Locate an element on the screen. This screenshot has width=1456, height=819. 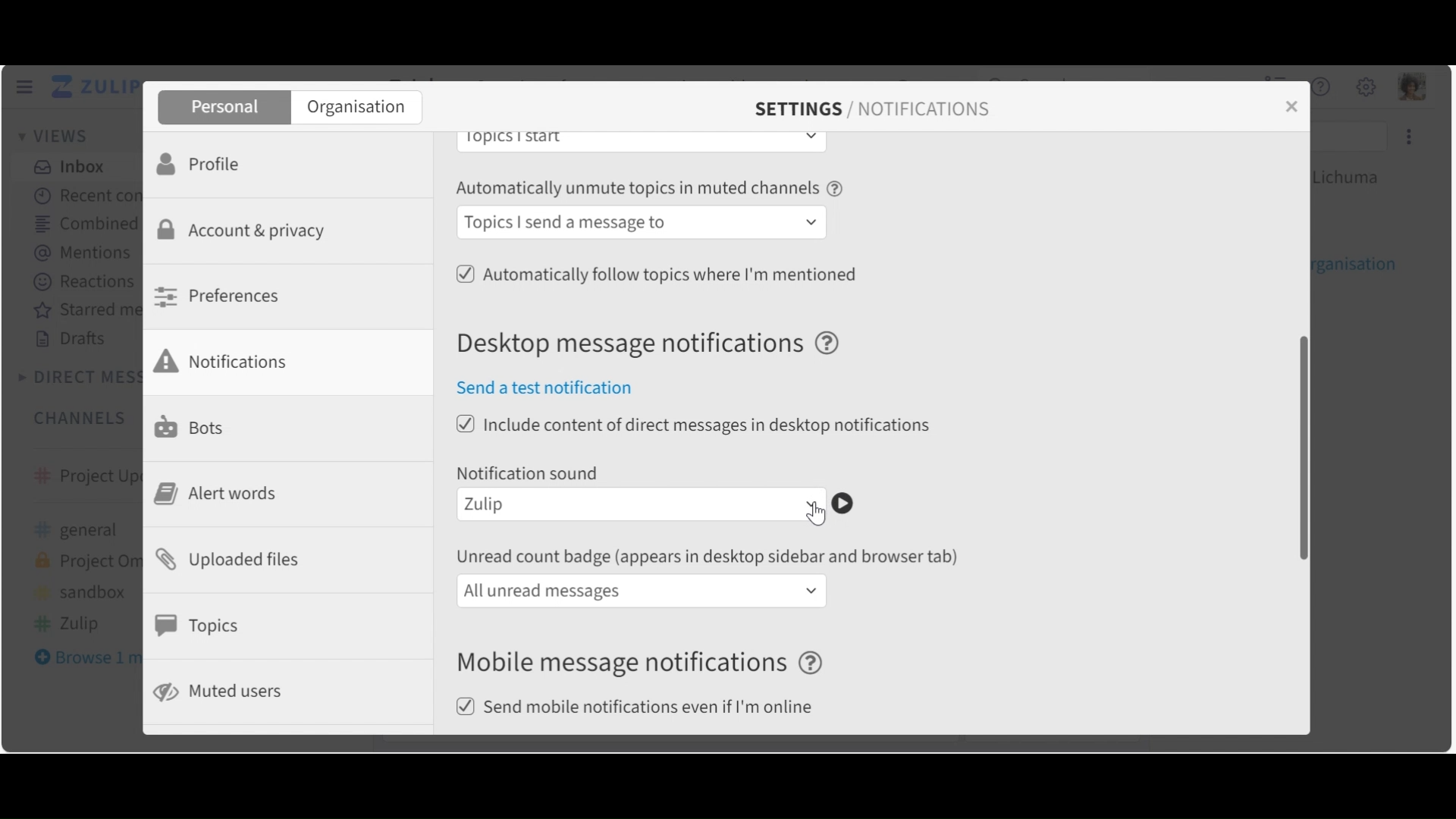
Send a test notification is located at coordinates (554, 389).